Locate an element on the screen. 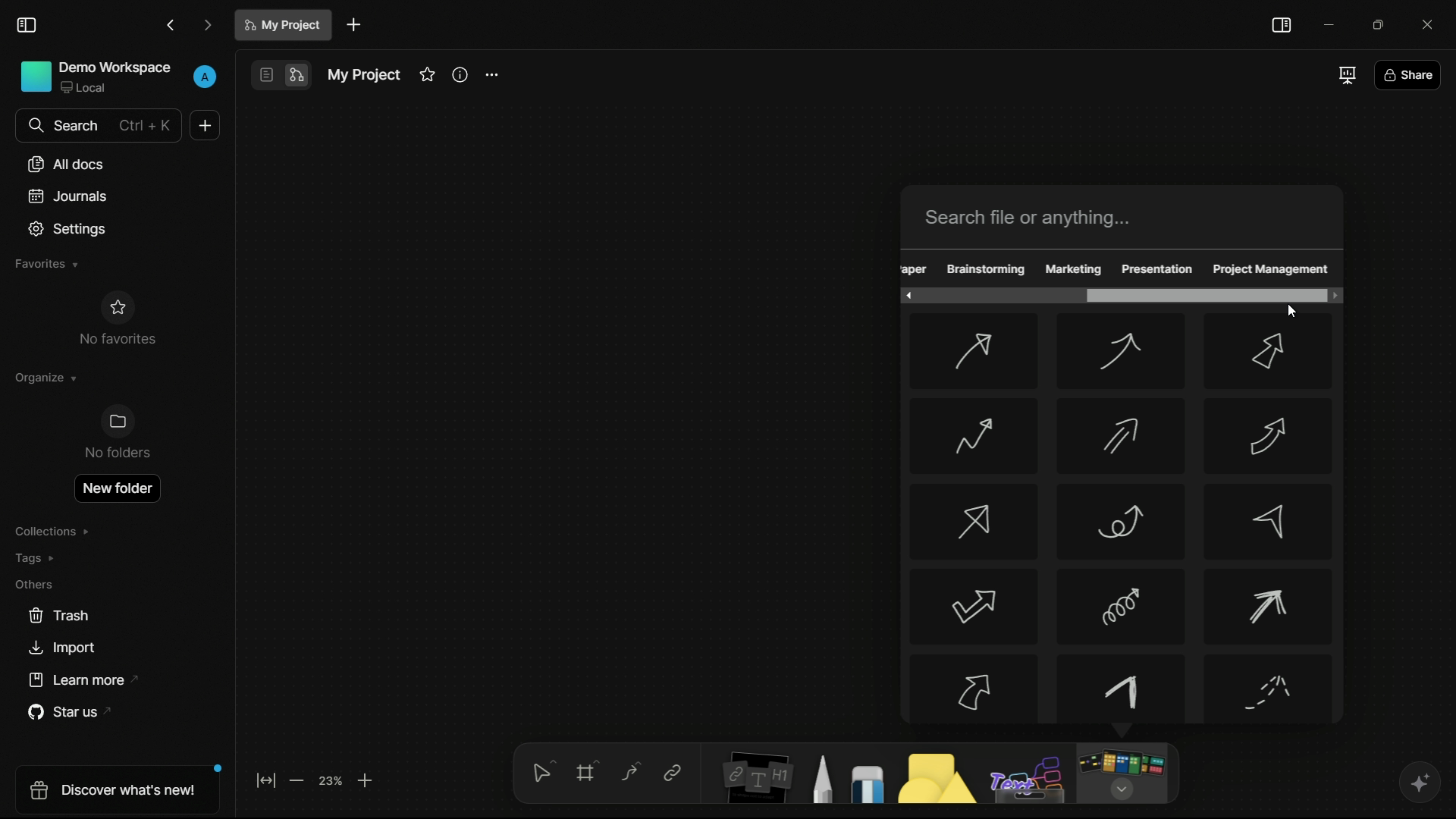  marketing is located at coordinates (1074, 268).